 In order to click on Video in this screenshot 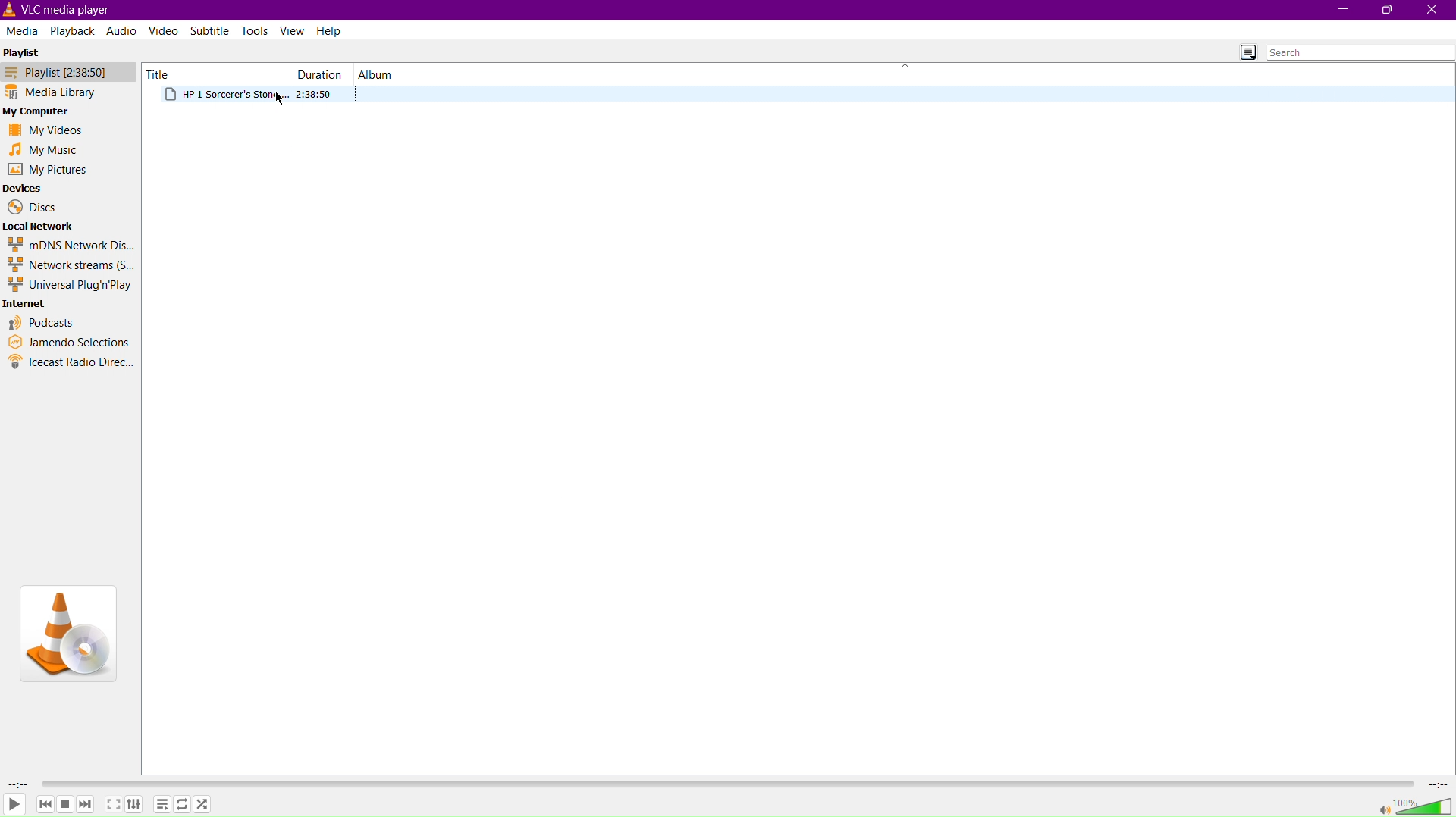, I will do `click(166, 32)`.